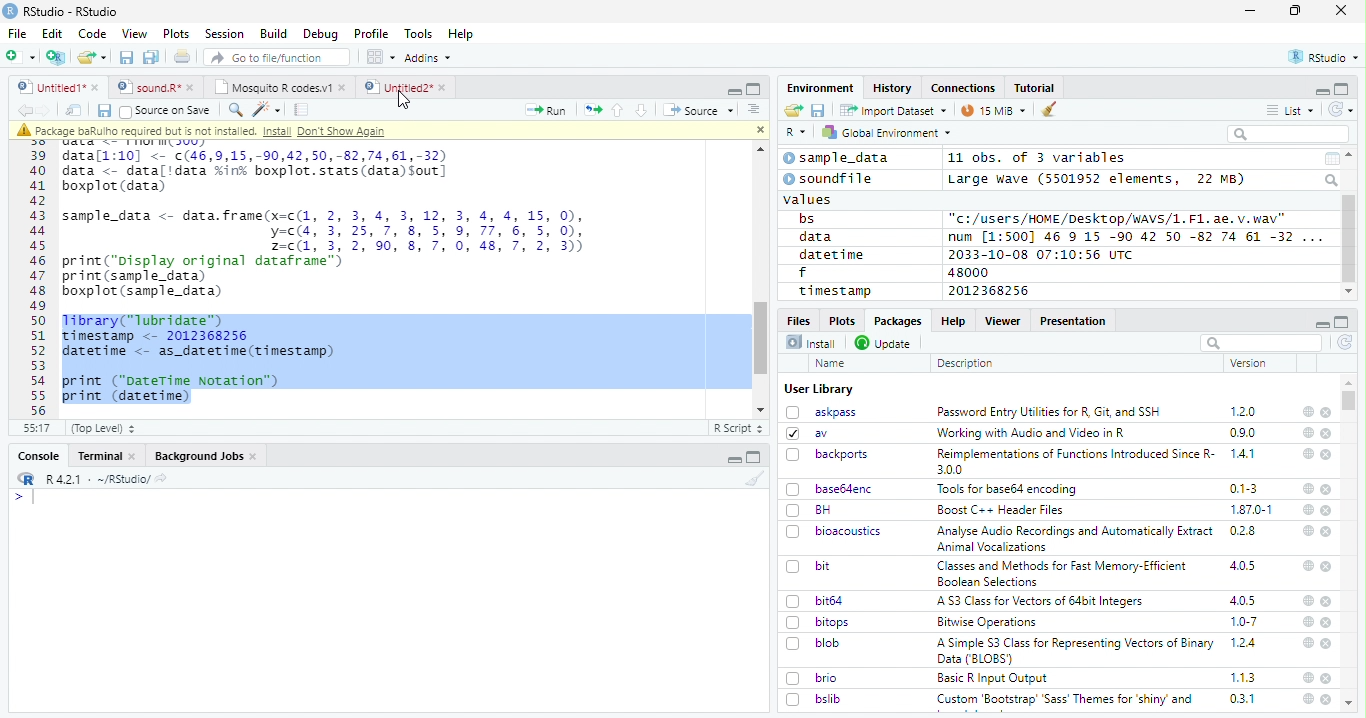 This screenshot has width=1366, height=718. Describe the element at coordinates (1328, 532) in the screenshot. I see `close` at that location.